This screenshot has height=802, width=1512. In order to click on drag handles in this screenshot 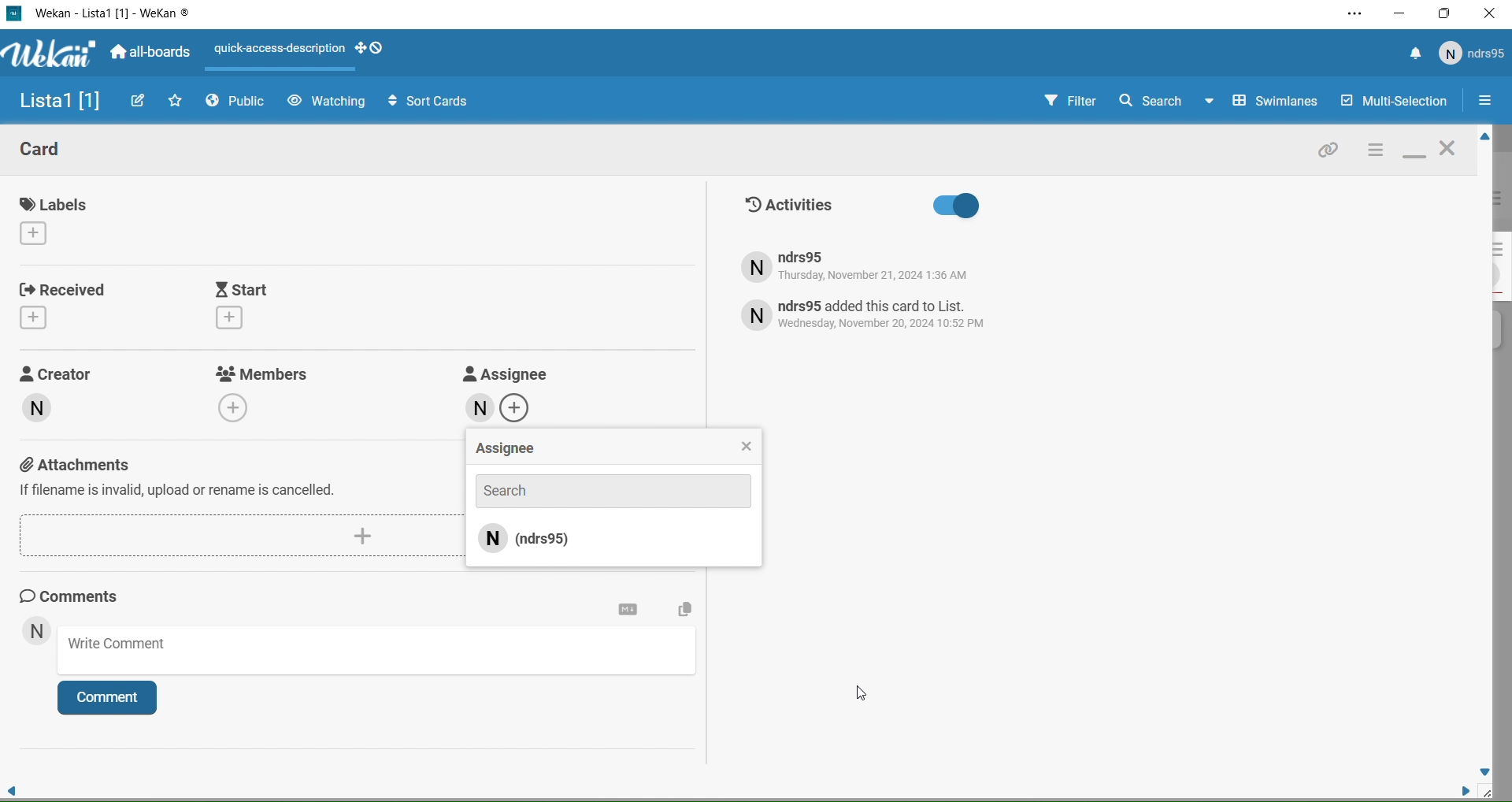, I will do `click(371, 49)`.